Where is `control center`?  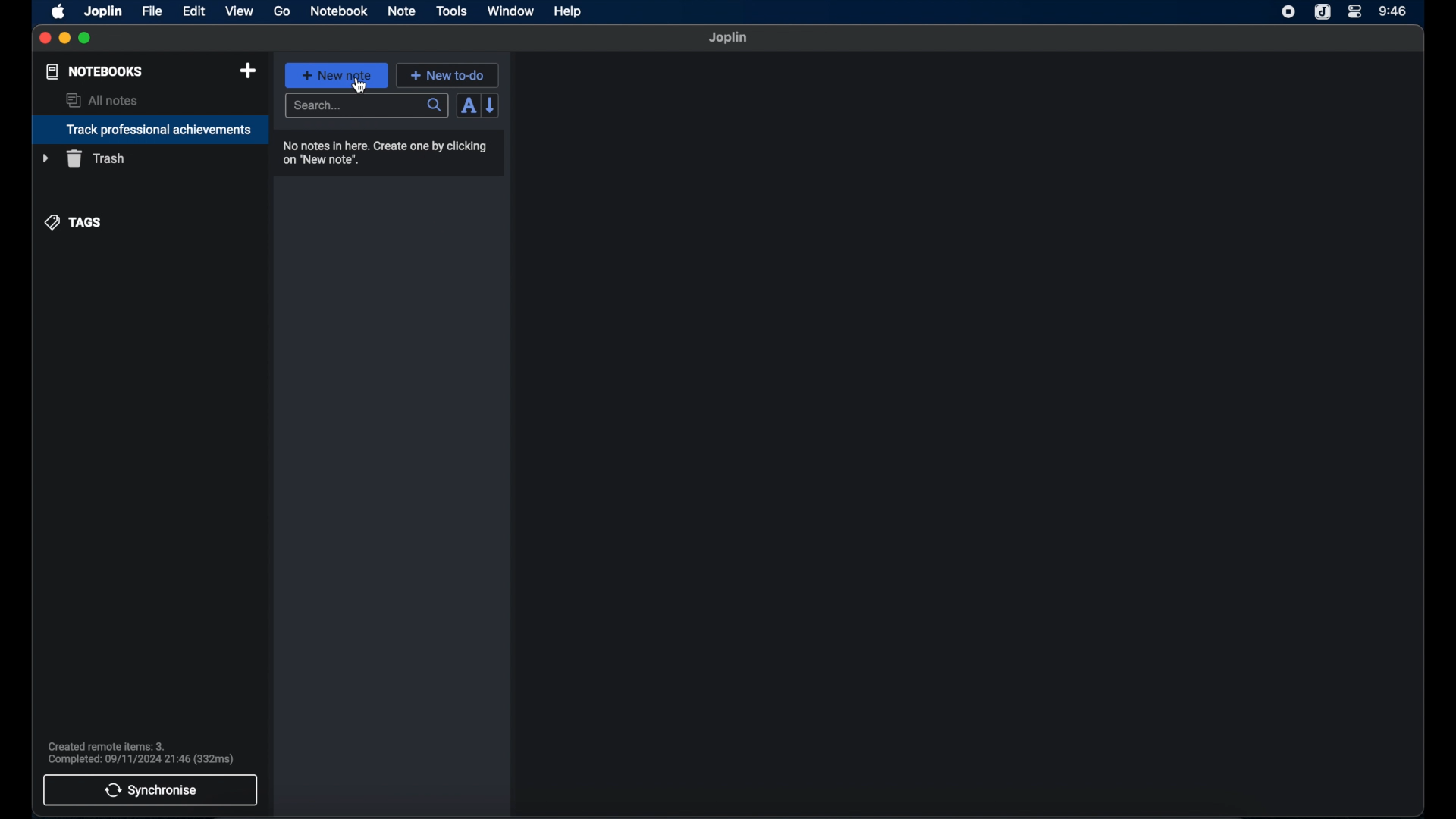 control center is located at coordinates (1355, 12).